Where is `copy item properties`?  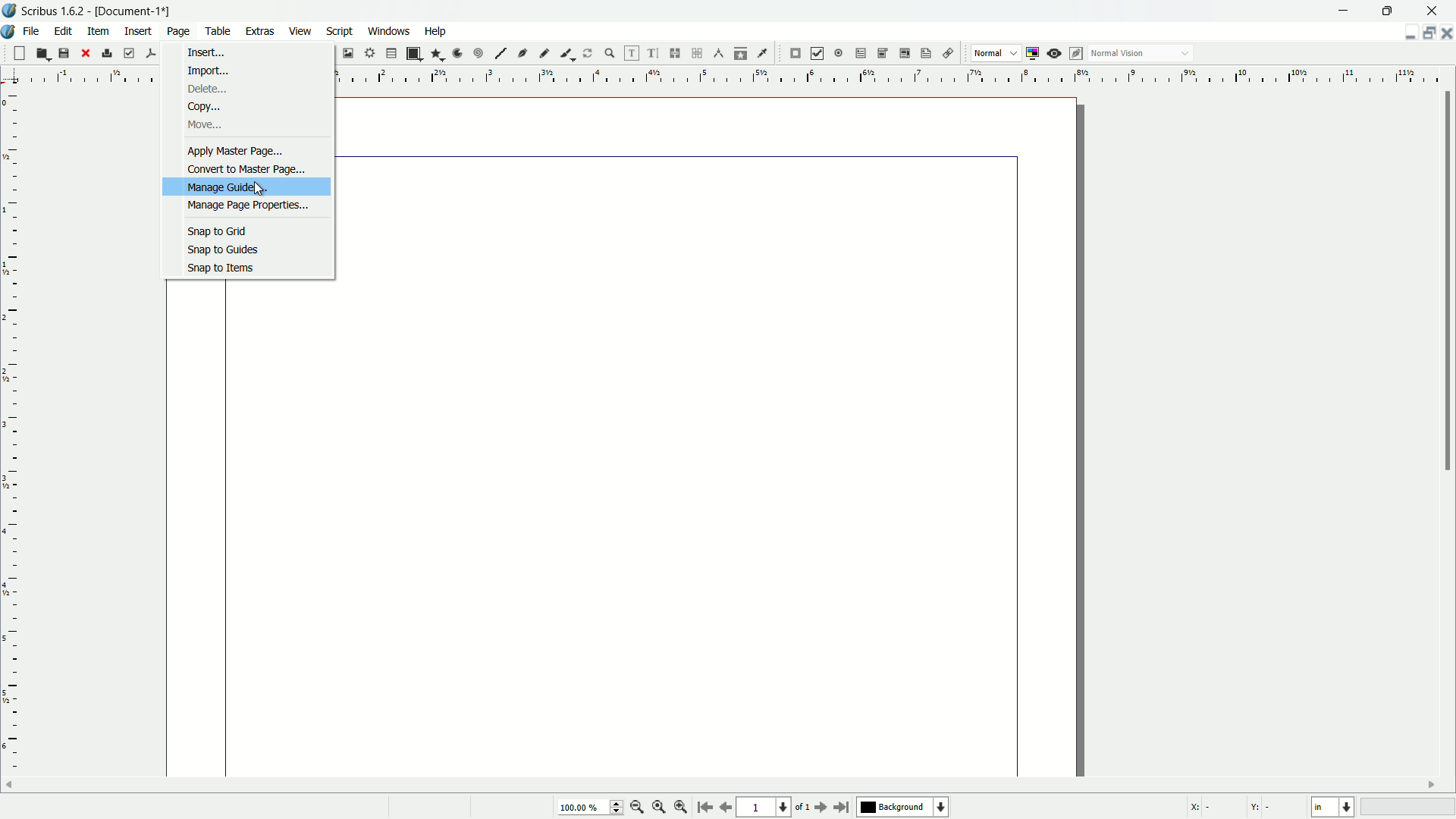 copy item properties is located at coordinates (741, 53).